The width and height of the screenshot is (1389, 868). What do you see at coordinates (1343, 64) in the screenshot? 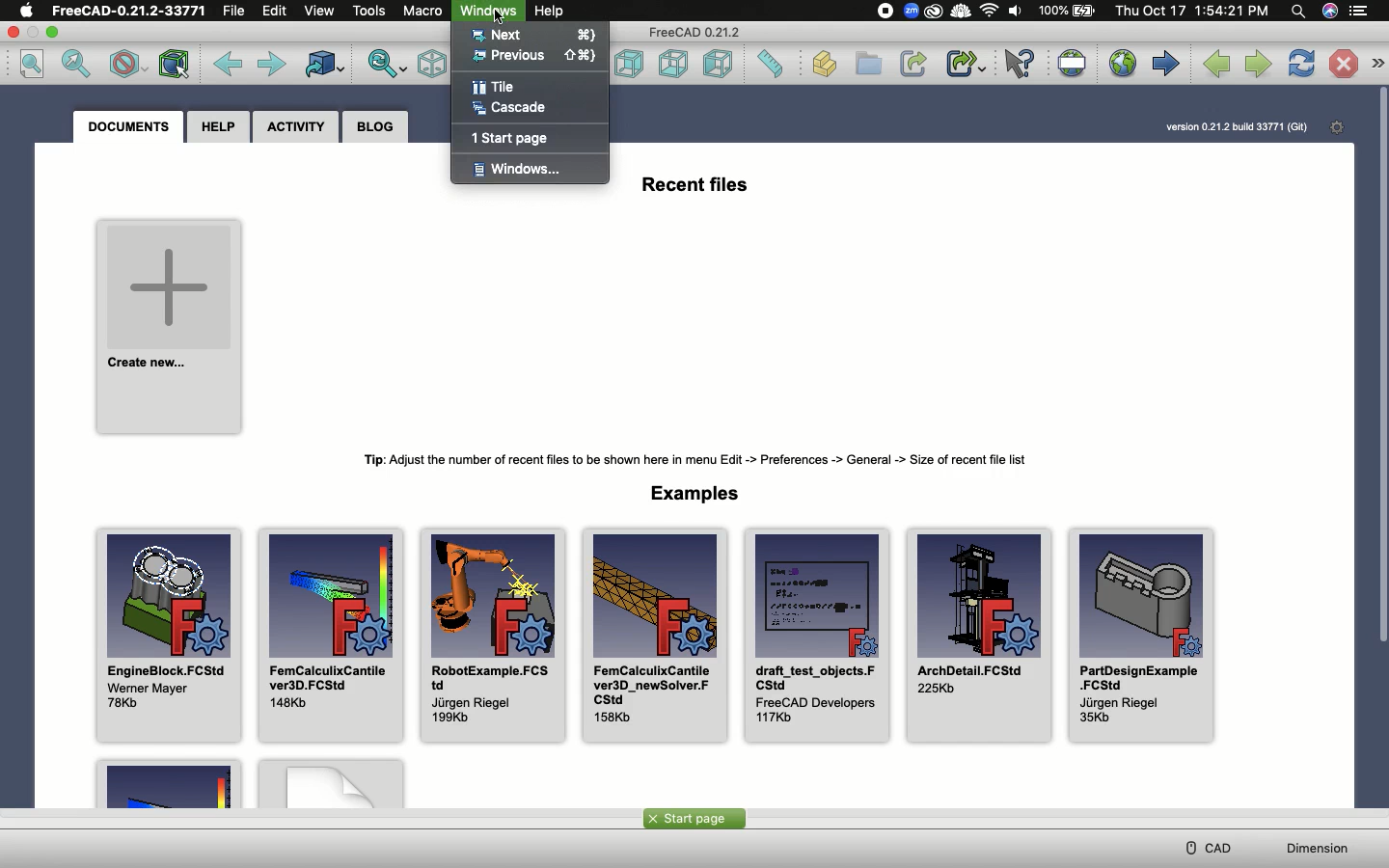
I see `Stop loading` at bounding box center [1343, 64].